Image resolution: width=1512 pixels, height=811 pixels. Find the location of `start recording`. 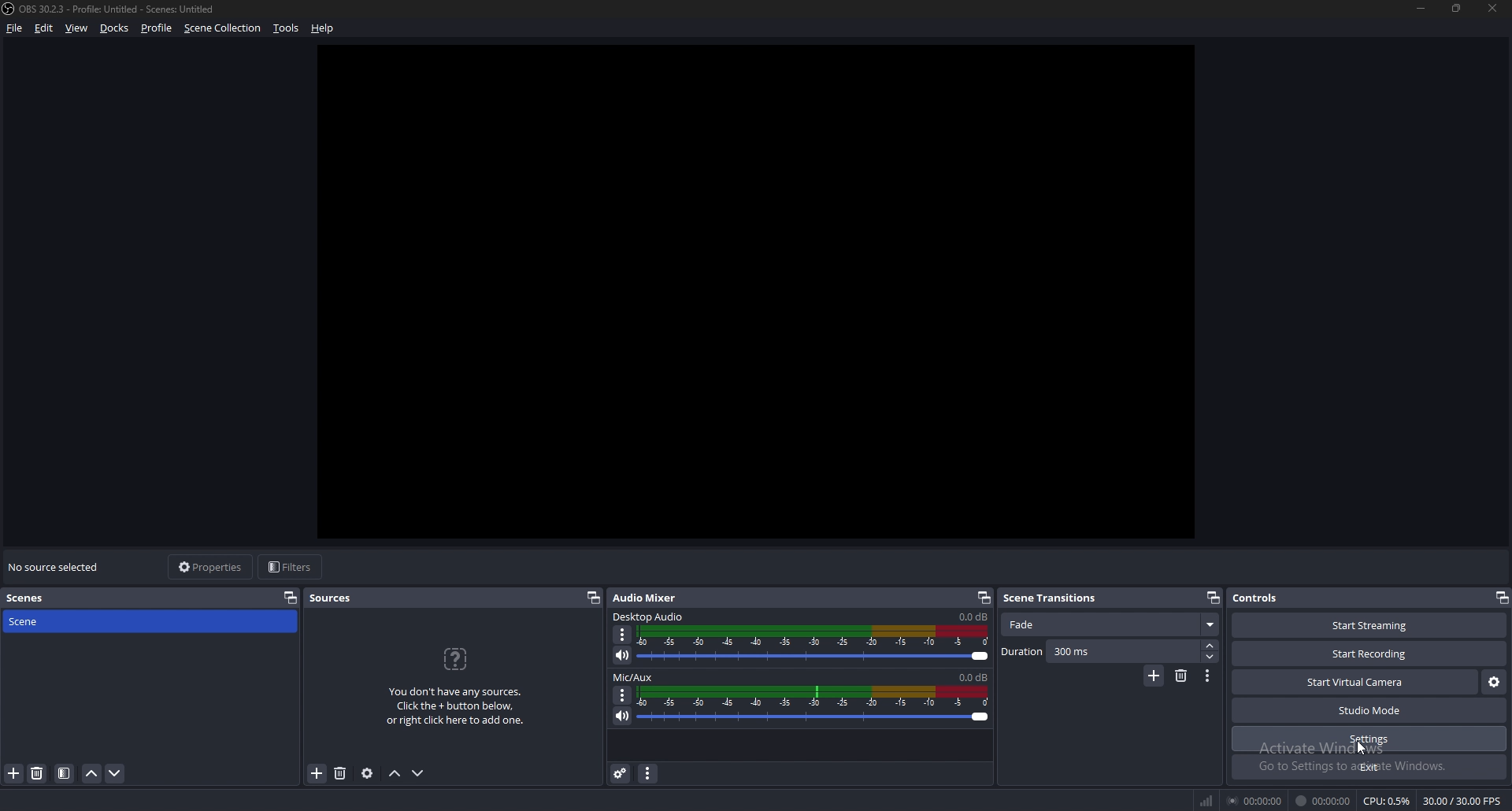

start recording is located at coordinates (1370, 654).